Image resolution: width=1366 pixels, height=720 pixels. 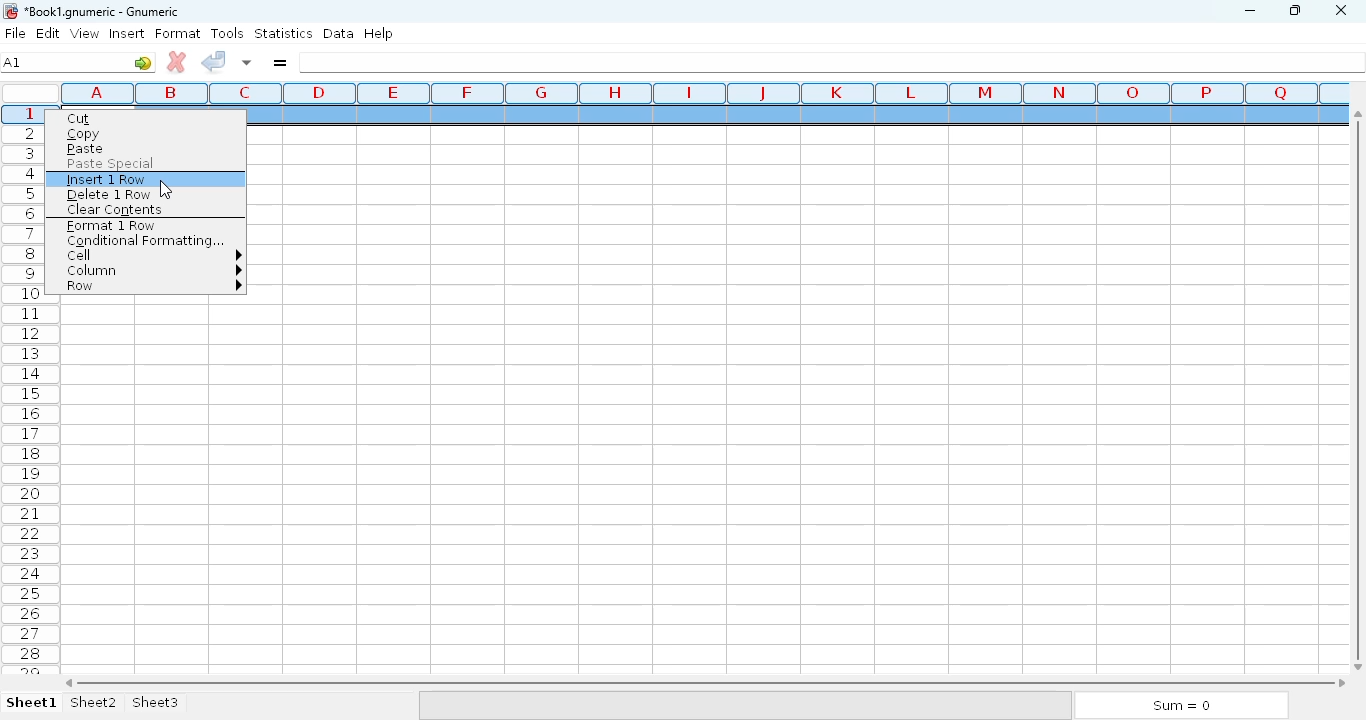 What do you see at coordinates (155, 703) in the screenshot?
I see `sheet3` at bounding box center [155, 703].